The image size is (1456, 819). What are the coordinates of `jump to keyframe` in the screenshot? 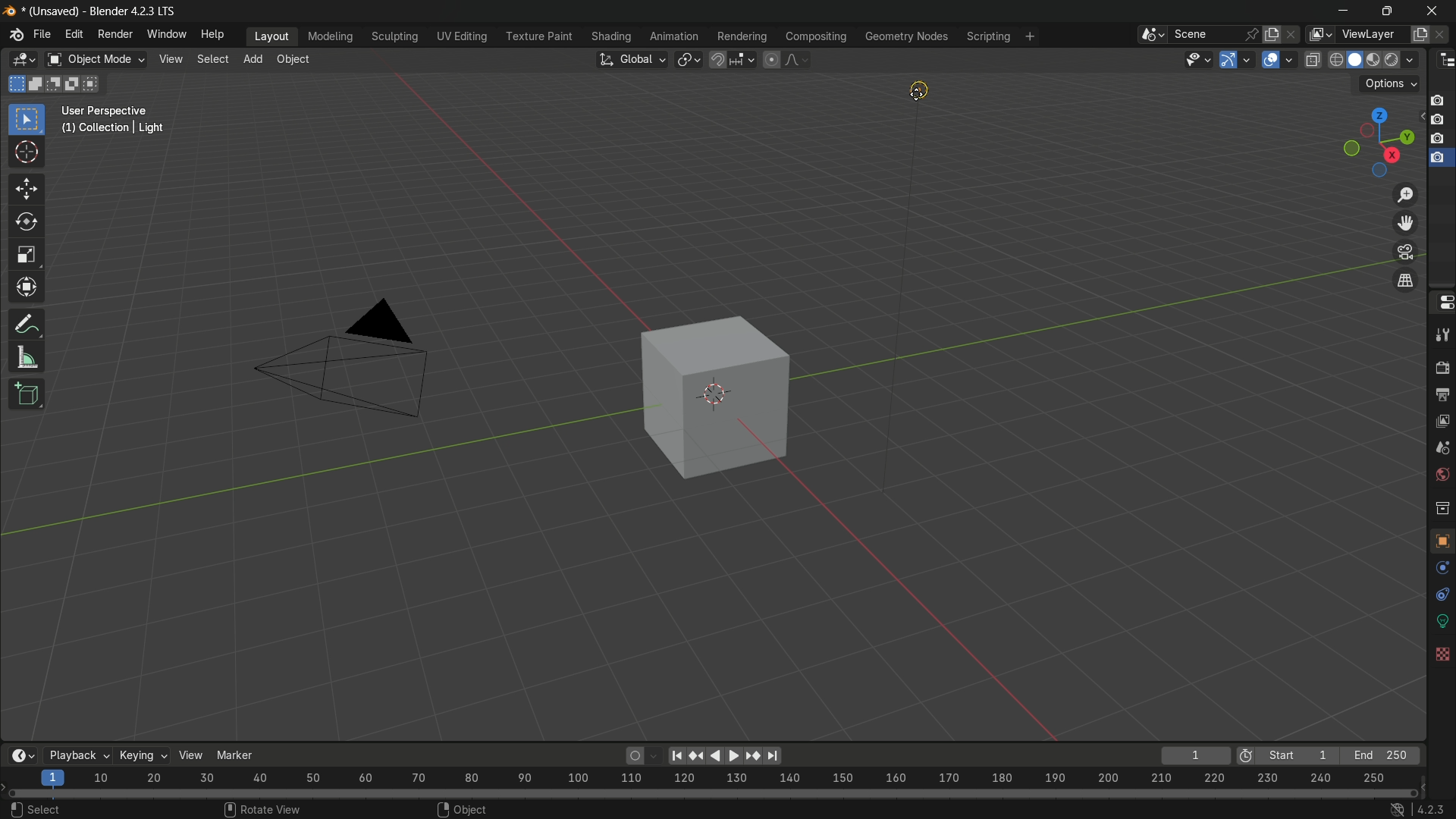 It's located at (698, 755).